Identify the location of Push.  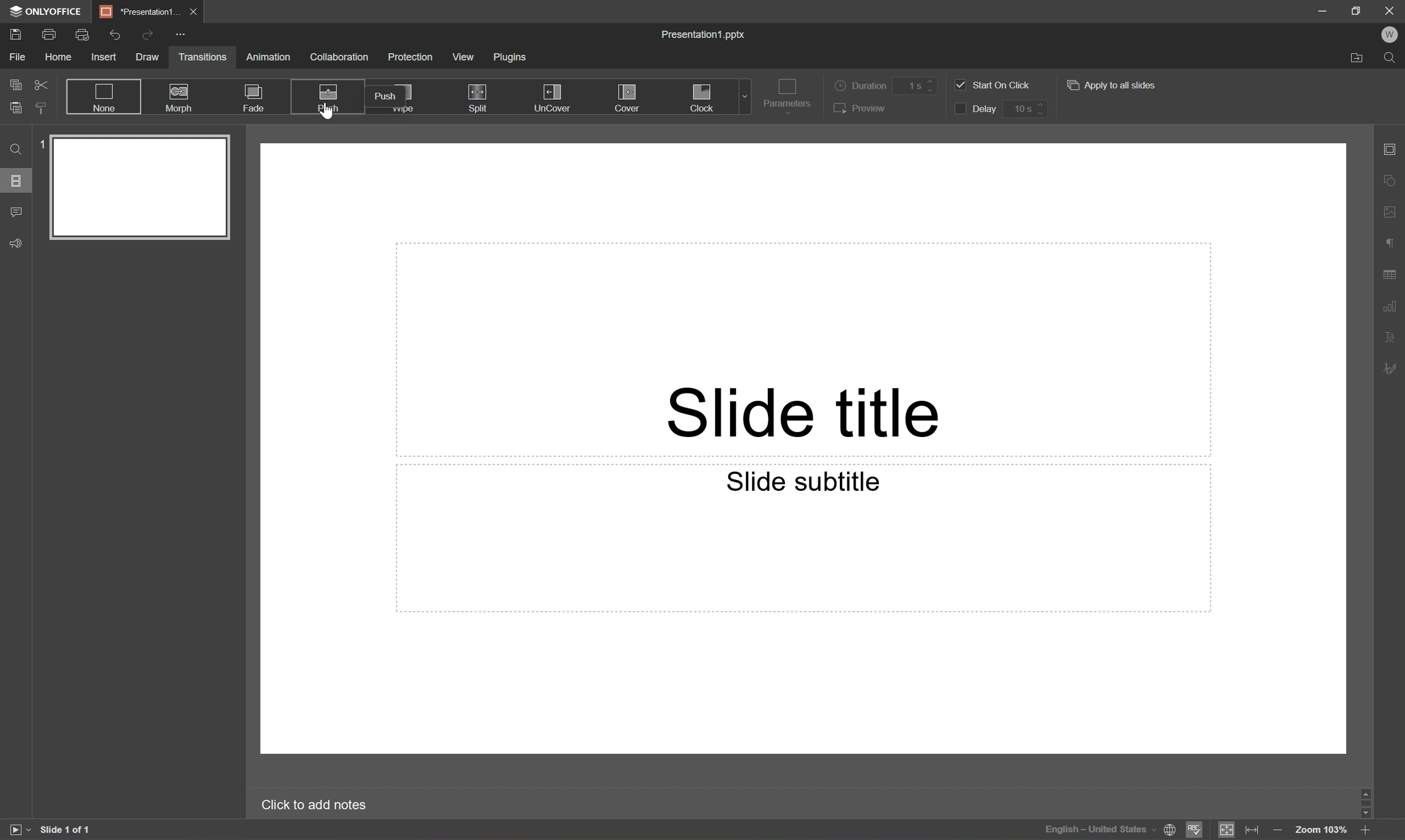
(383, 97).